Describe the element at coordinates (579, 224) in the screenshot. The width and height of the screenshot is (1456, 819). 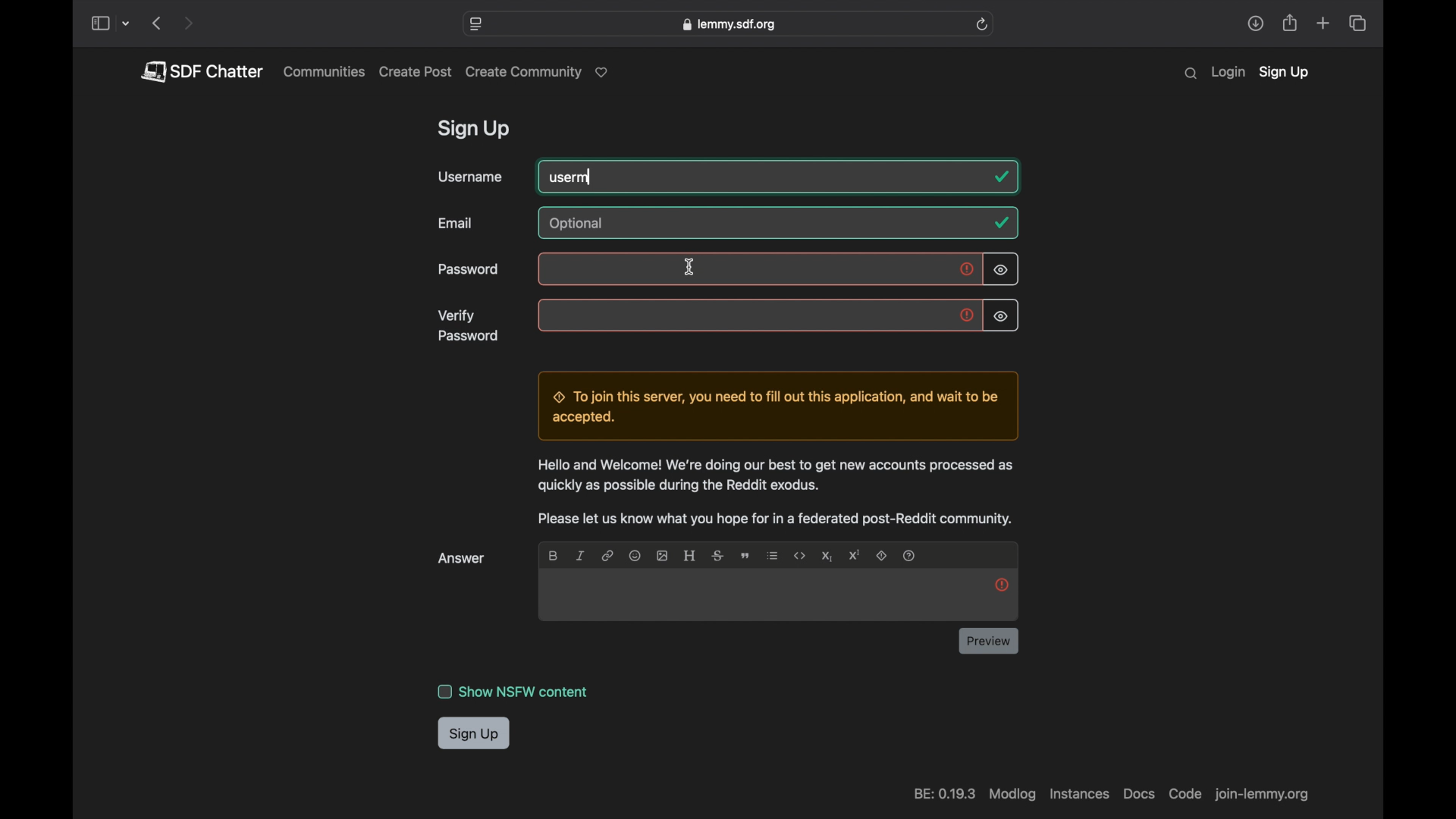
I see `optional` at that location.